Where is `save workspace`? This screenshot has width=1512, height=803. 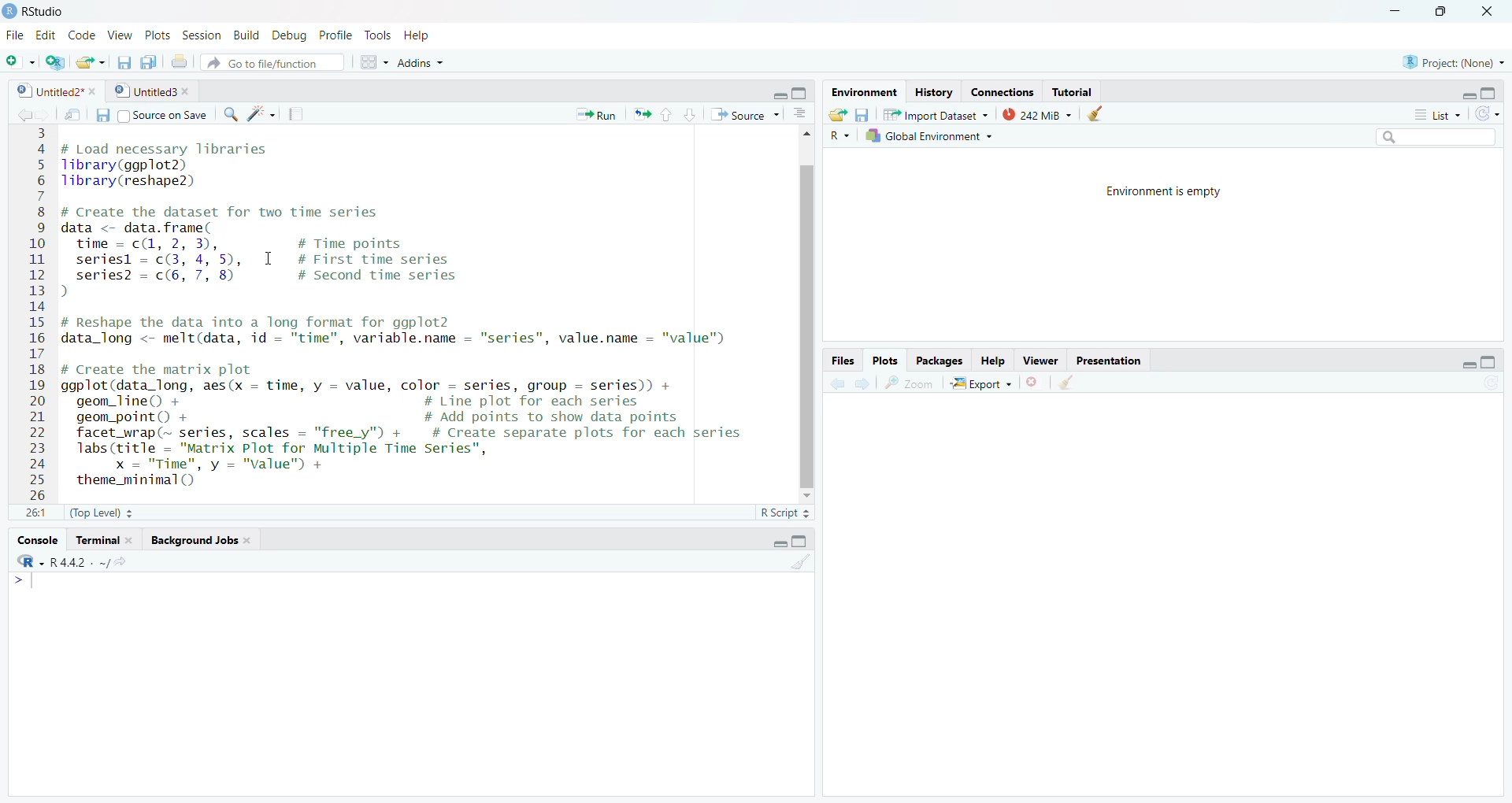
save workspace is located at coordinates (862, 113).